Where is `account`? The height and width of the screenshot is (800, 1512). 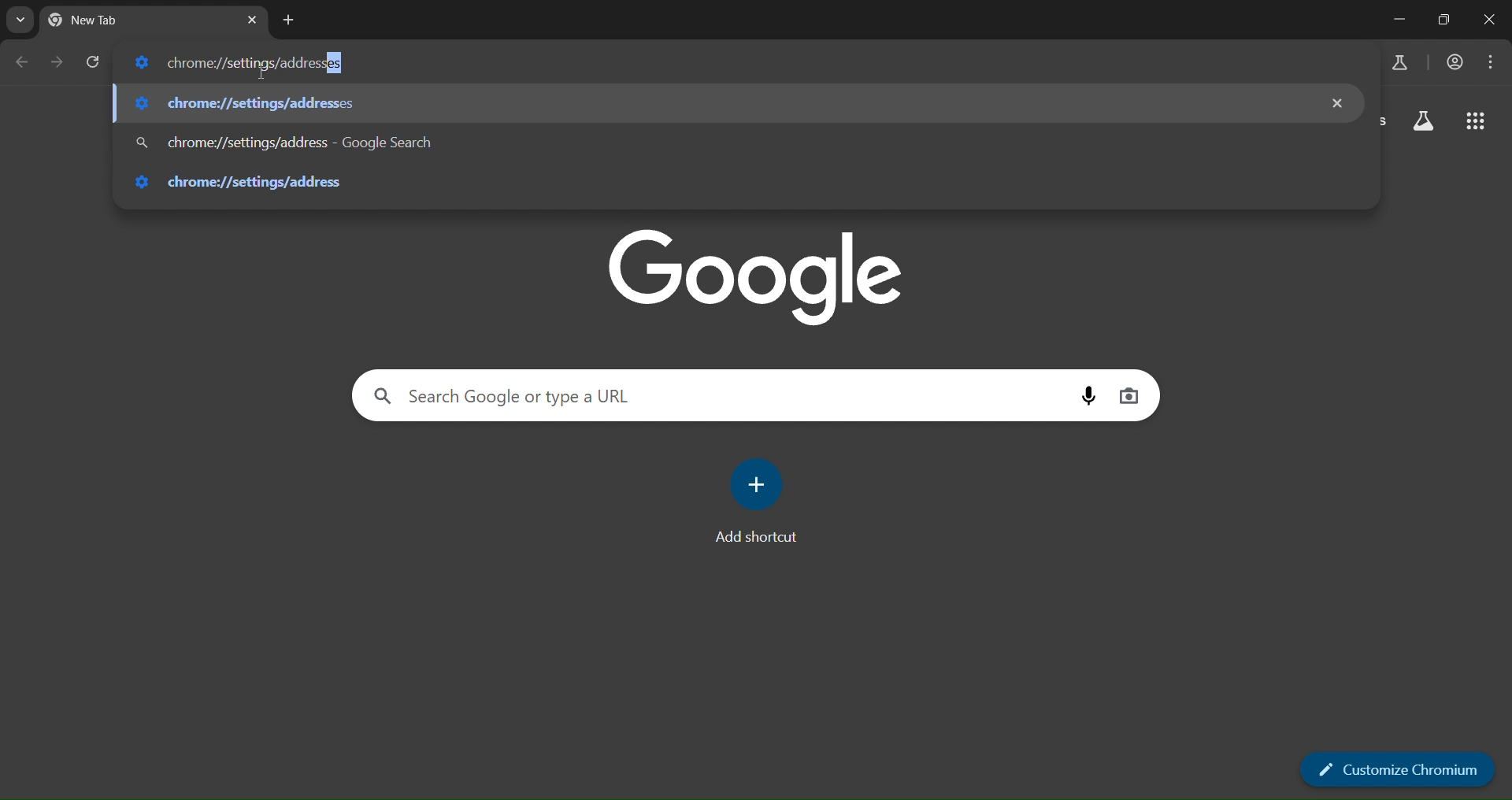 account is located at coordinates (1452, 64).